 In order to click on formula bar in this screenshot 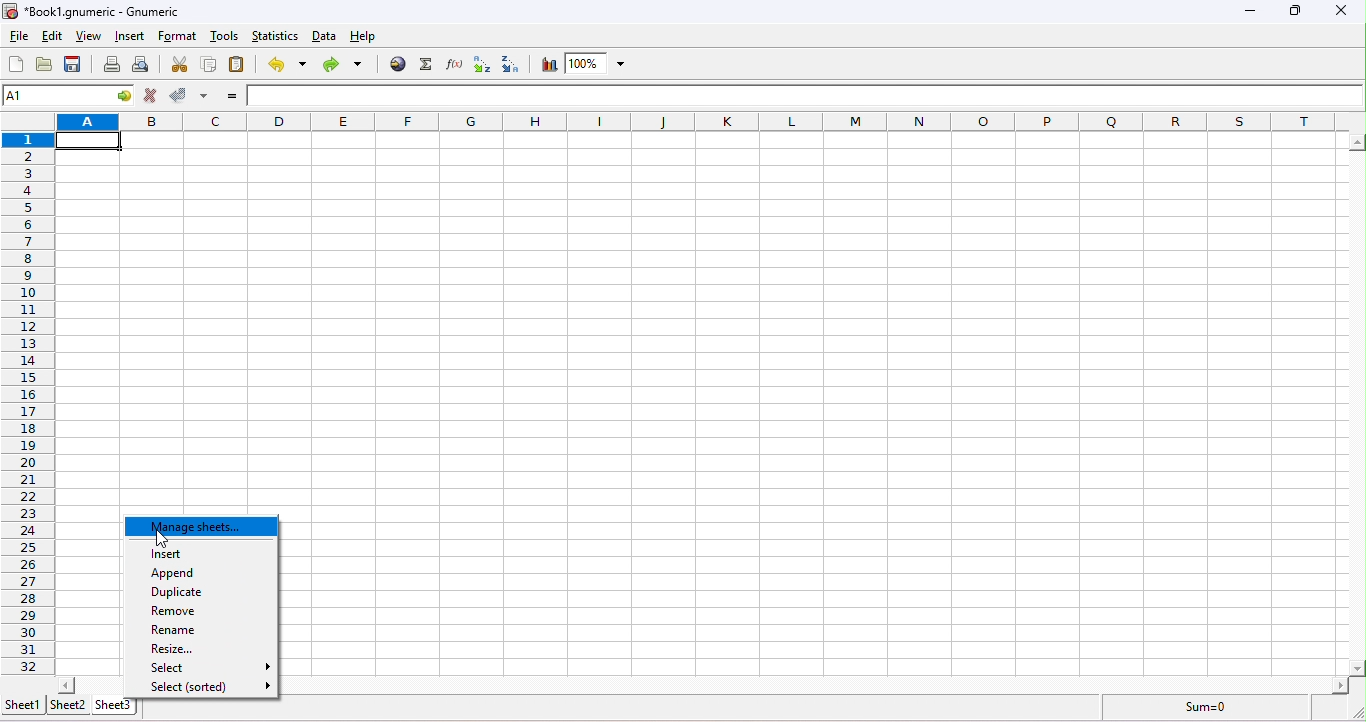, I will do `click(805, 95)`.